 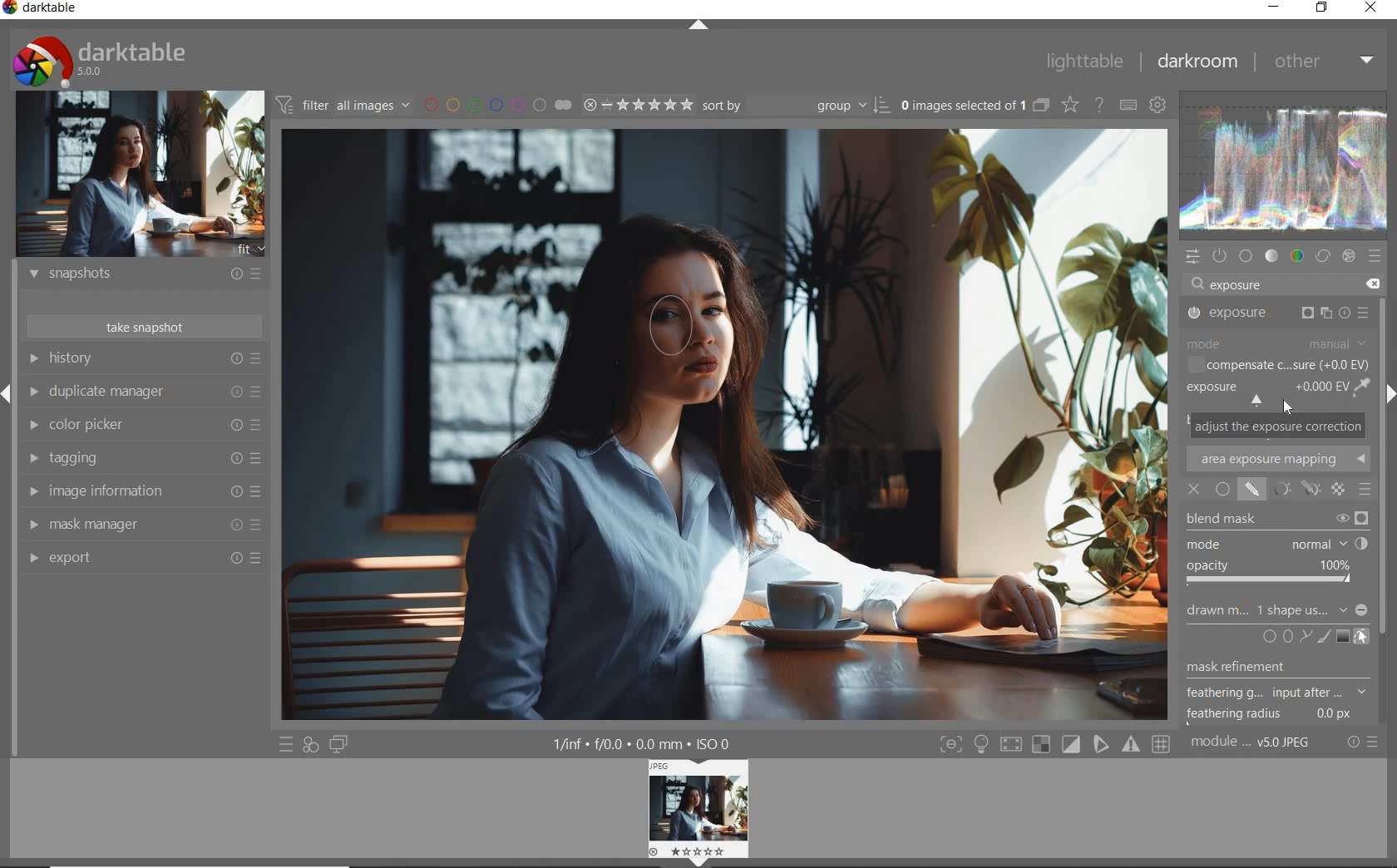 I want to click on range rating of selected images, so click(x=638, y=105).